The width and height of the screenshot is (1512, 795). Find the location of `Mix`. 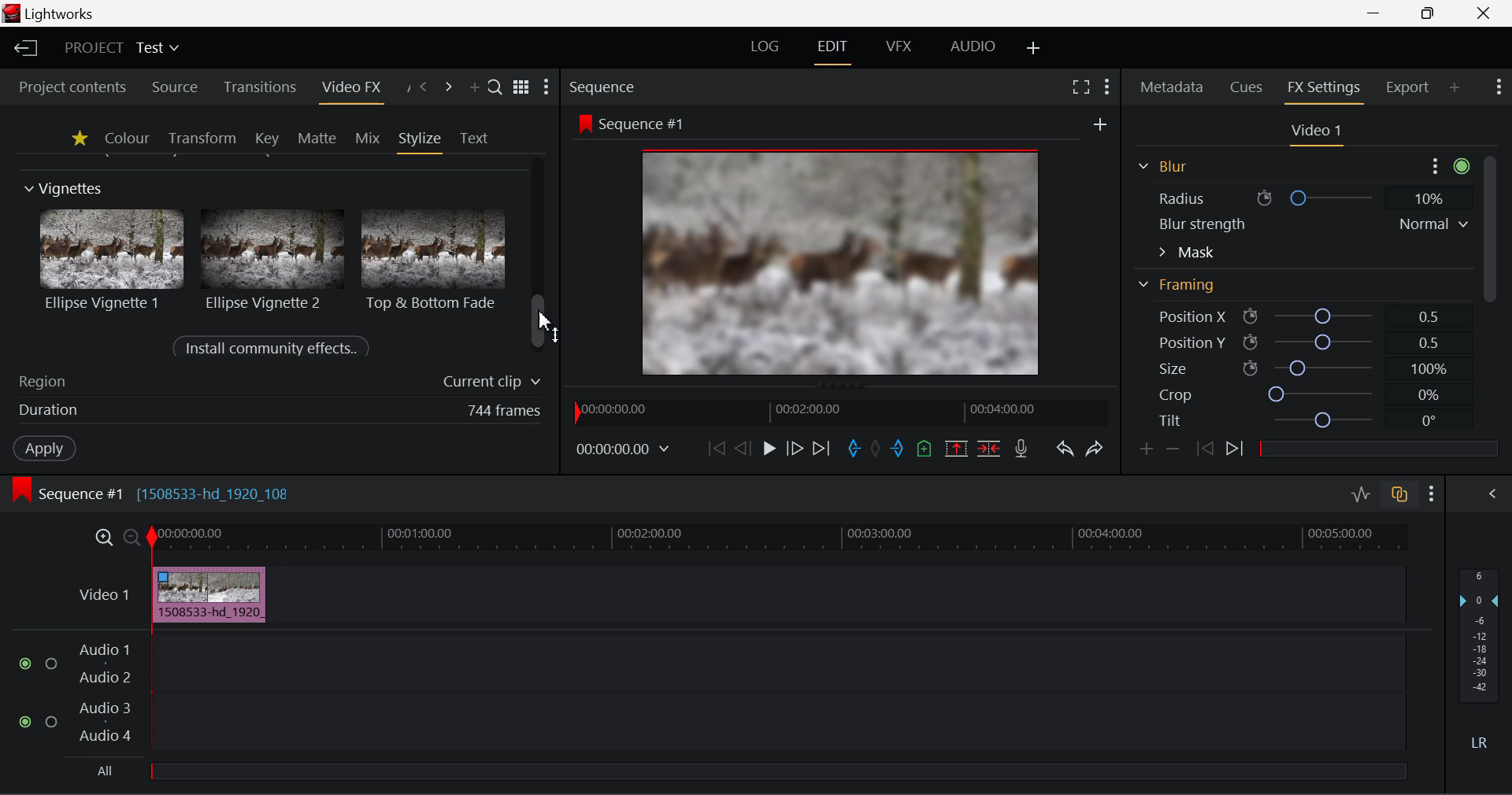

Mix is located at coordinates (367, 137).